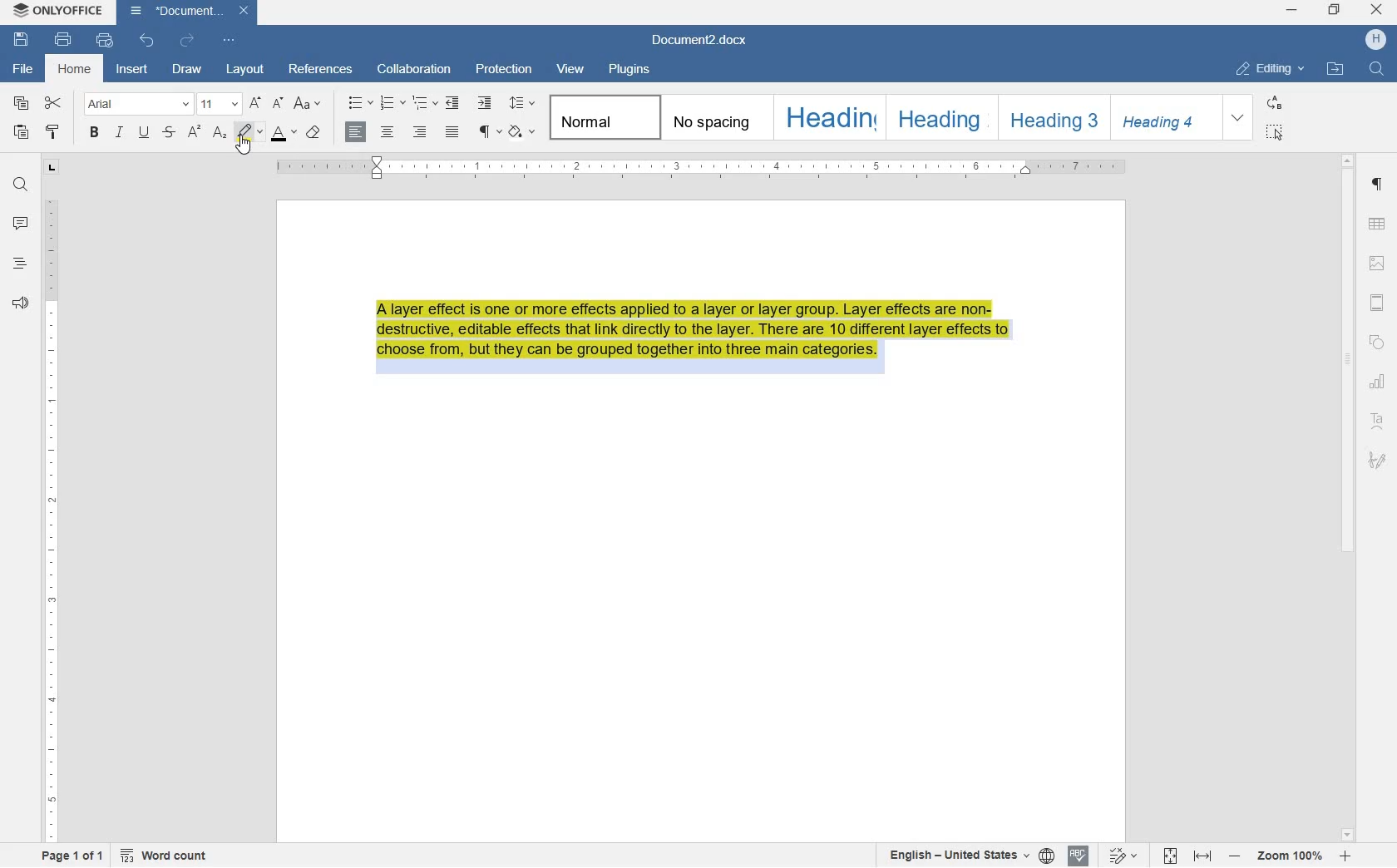  Describe the element at coordinates (1077, 855) in the screenshot. I see `SPELL CHECK` at that location.